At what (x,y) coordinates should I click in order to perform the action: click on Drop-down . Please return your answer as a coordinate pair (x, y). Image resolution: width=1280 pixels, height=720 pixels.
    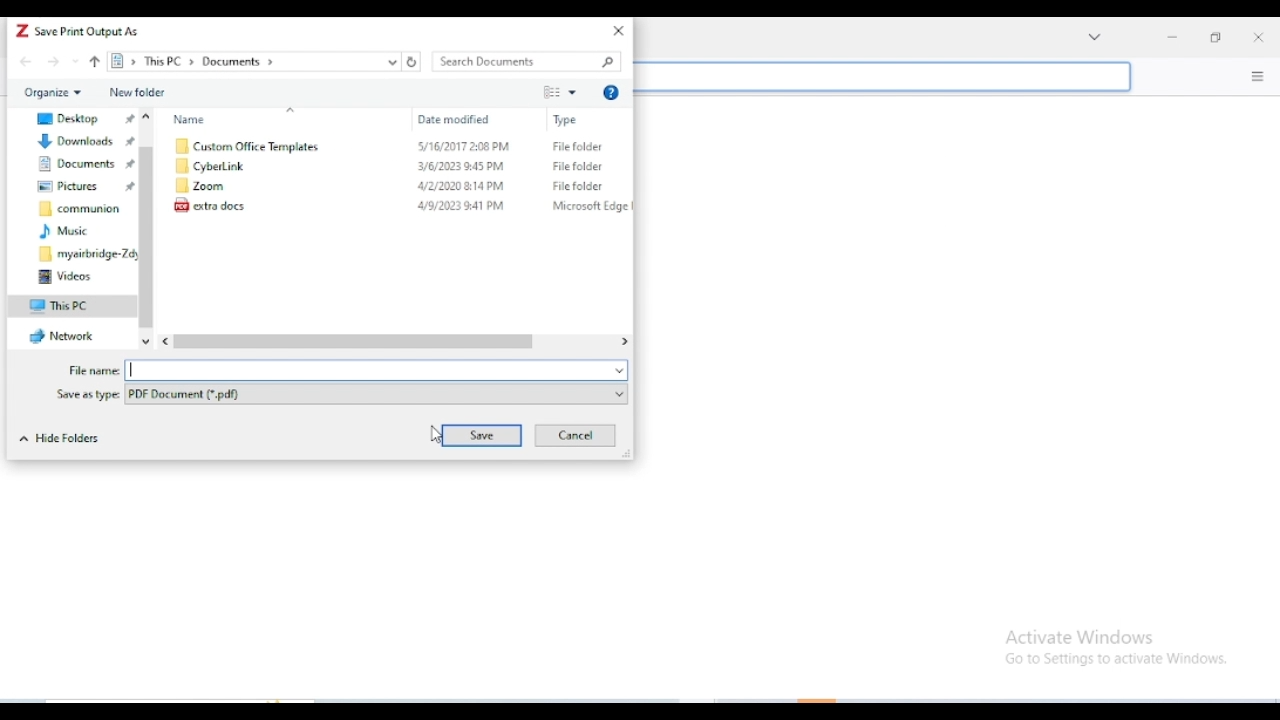
    Looking at the image, I should click on (1096, 38).